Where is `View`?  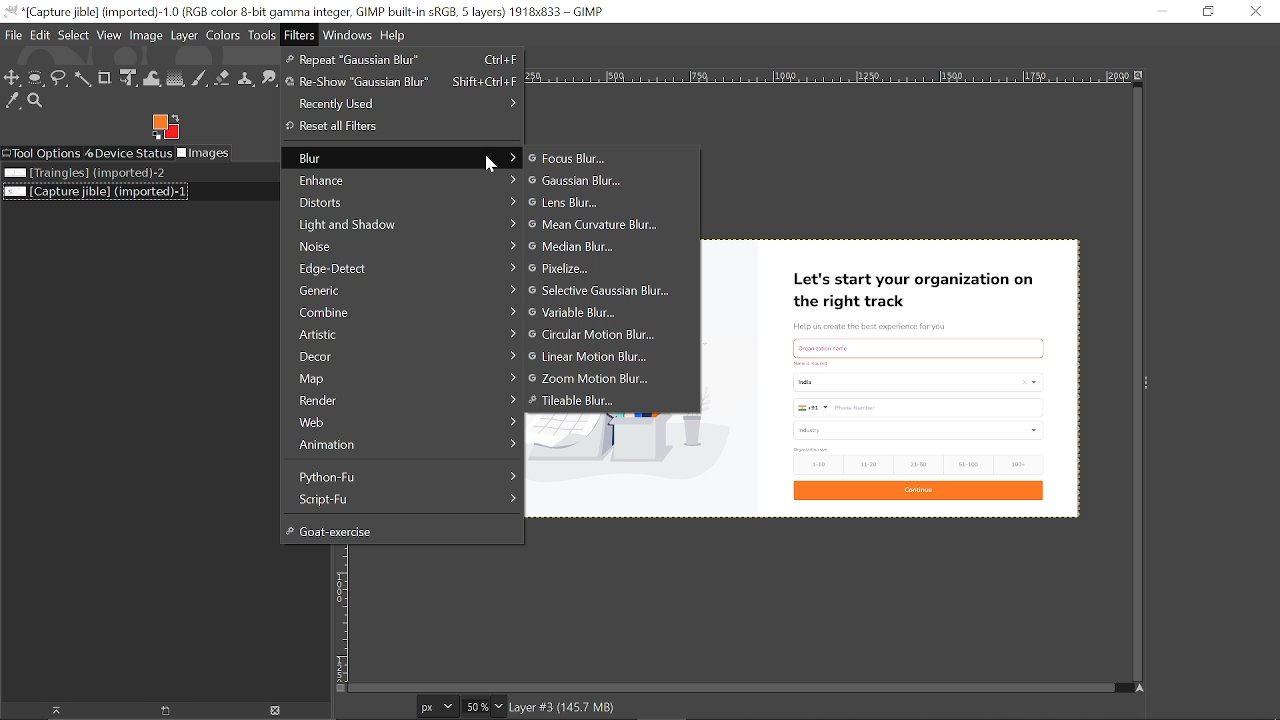 View is located at coordinates (110, 36).